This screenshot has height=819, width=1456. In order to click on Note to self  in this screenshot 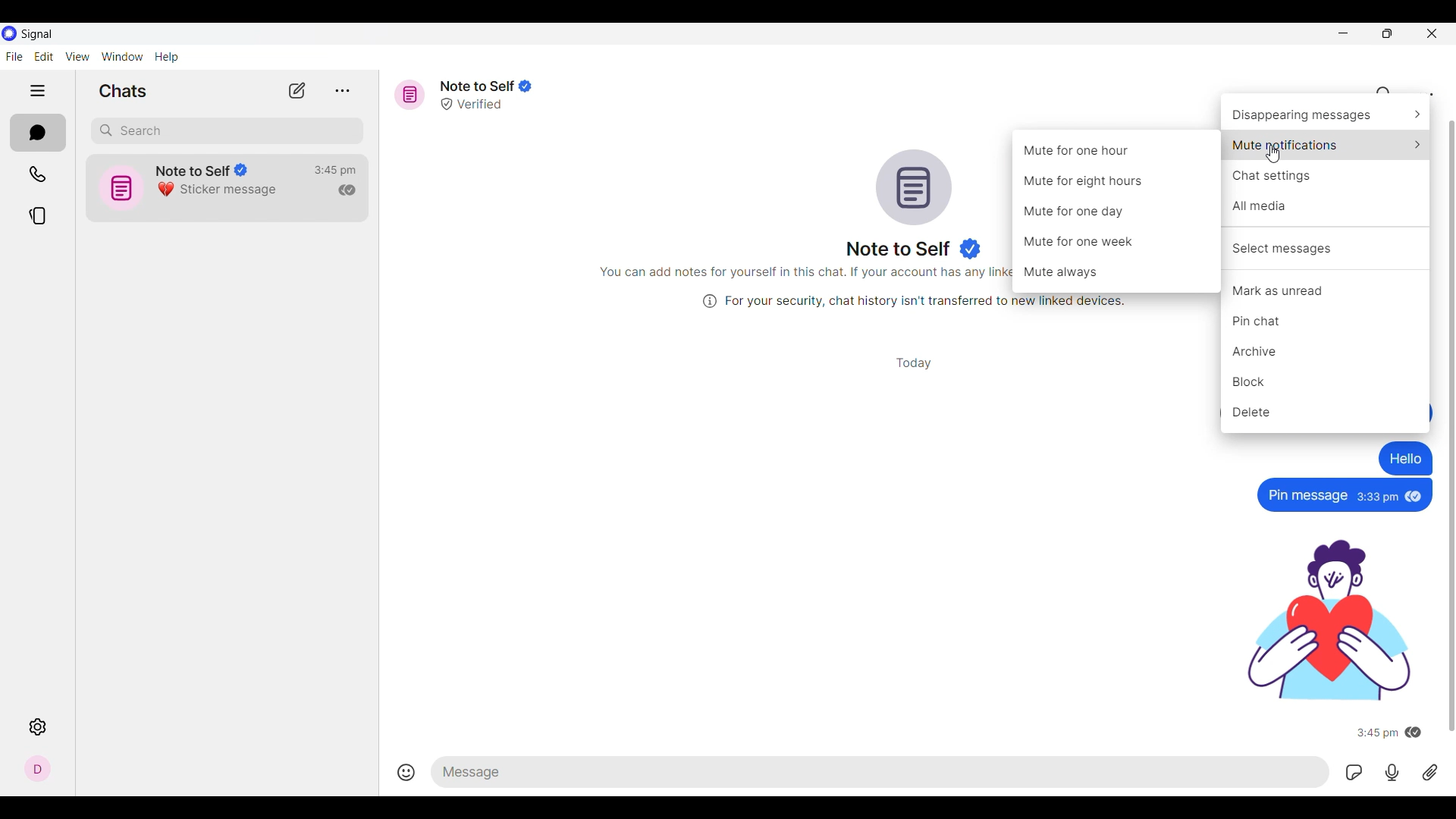, I will do `click(485, 86)`.